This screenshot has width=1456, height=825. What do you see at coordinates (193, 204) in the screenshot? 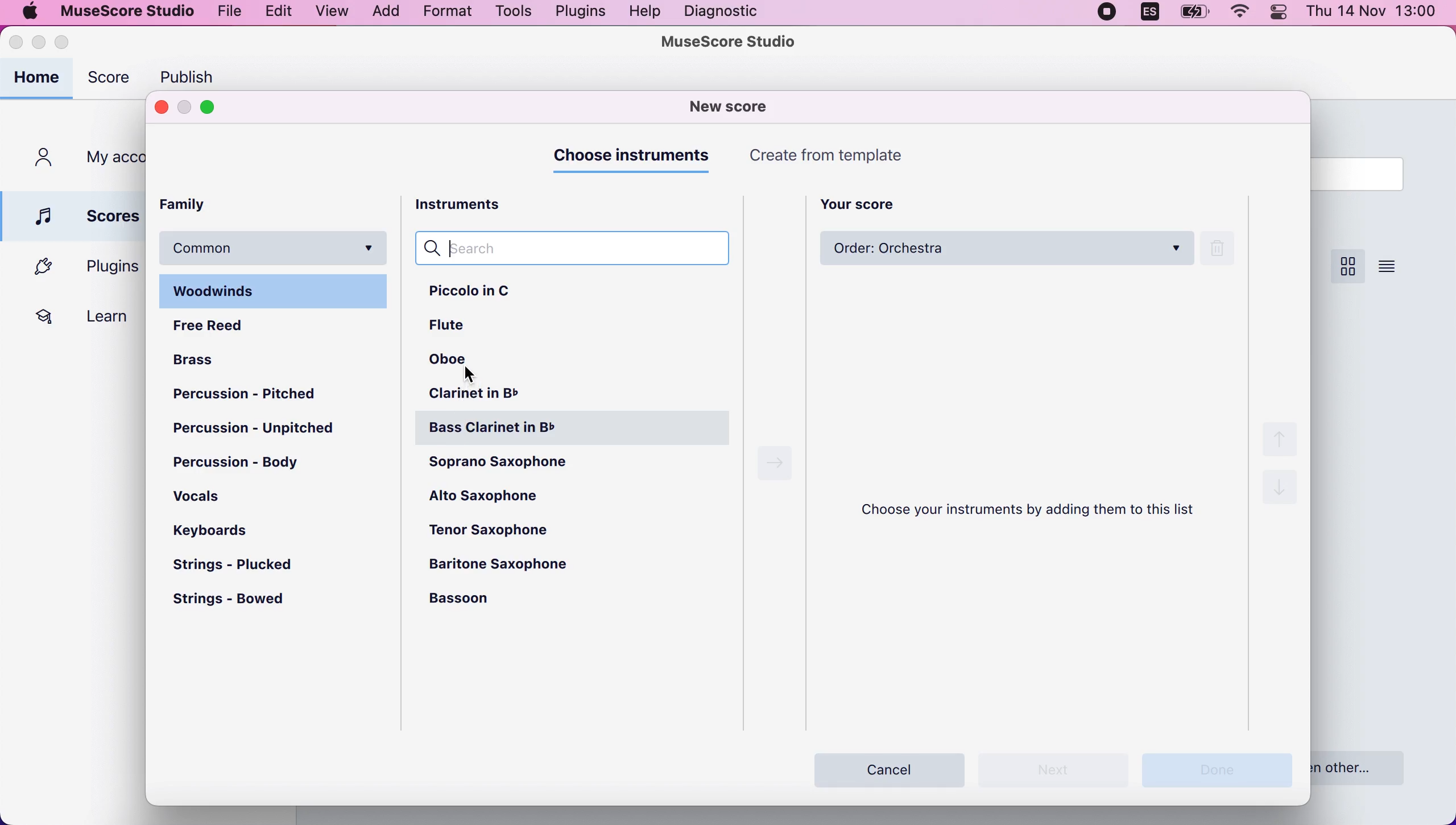
I see `family` at bounding box center [193, 204].